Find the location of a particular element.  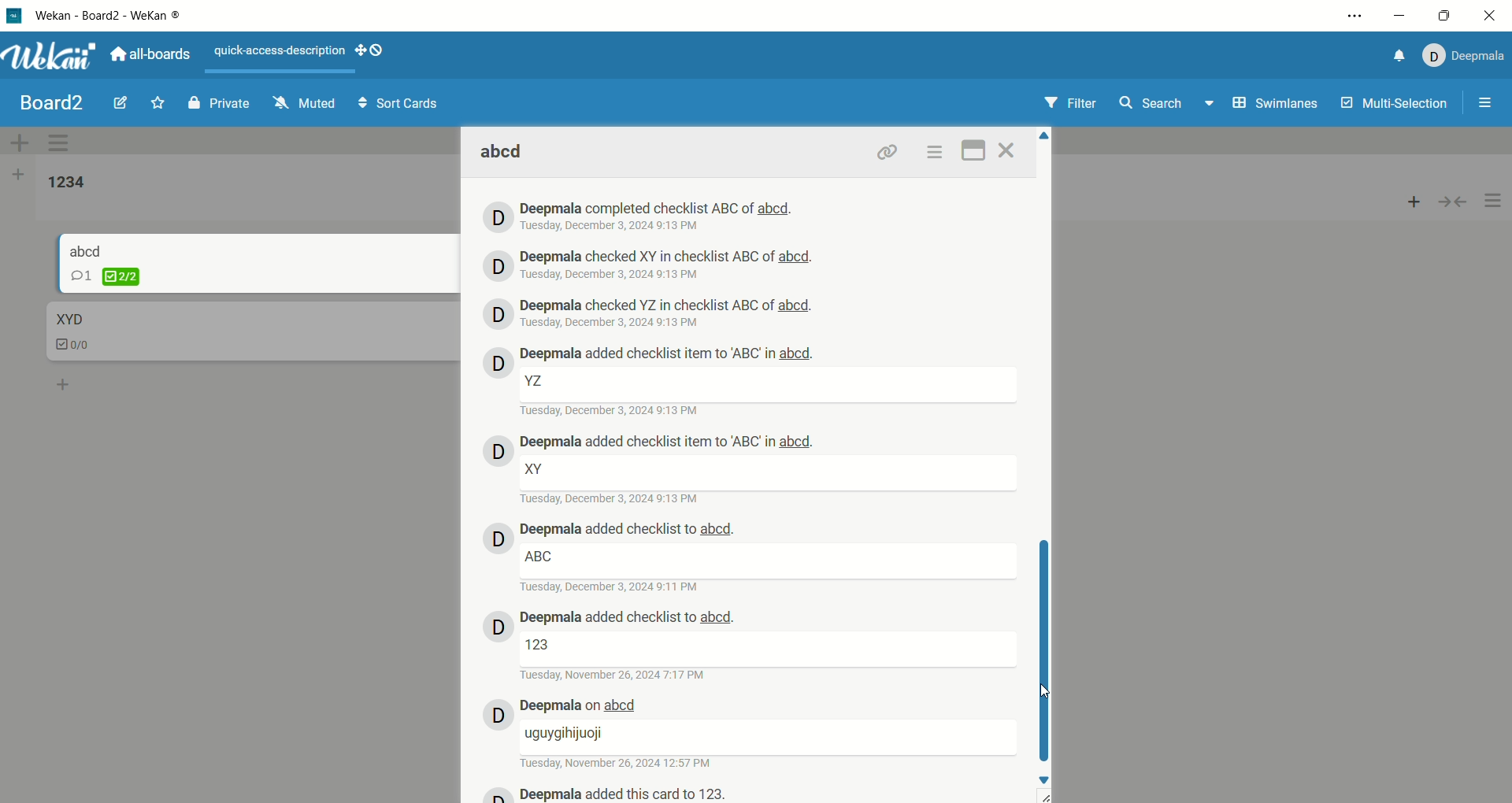

close is located at coordinates (1010, 150).